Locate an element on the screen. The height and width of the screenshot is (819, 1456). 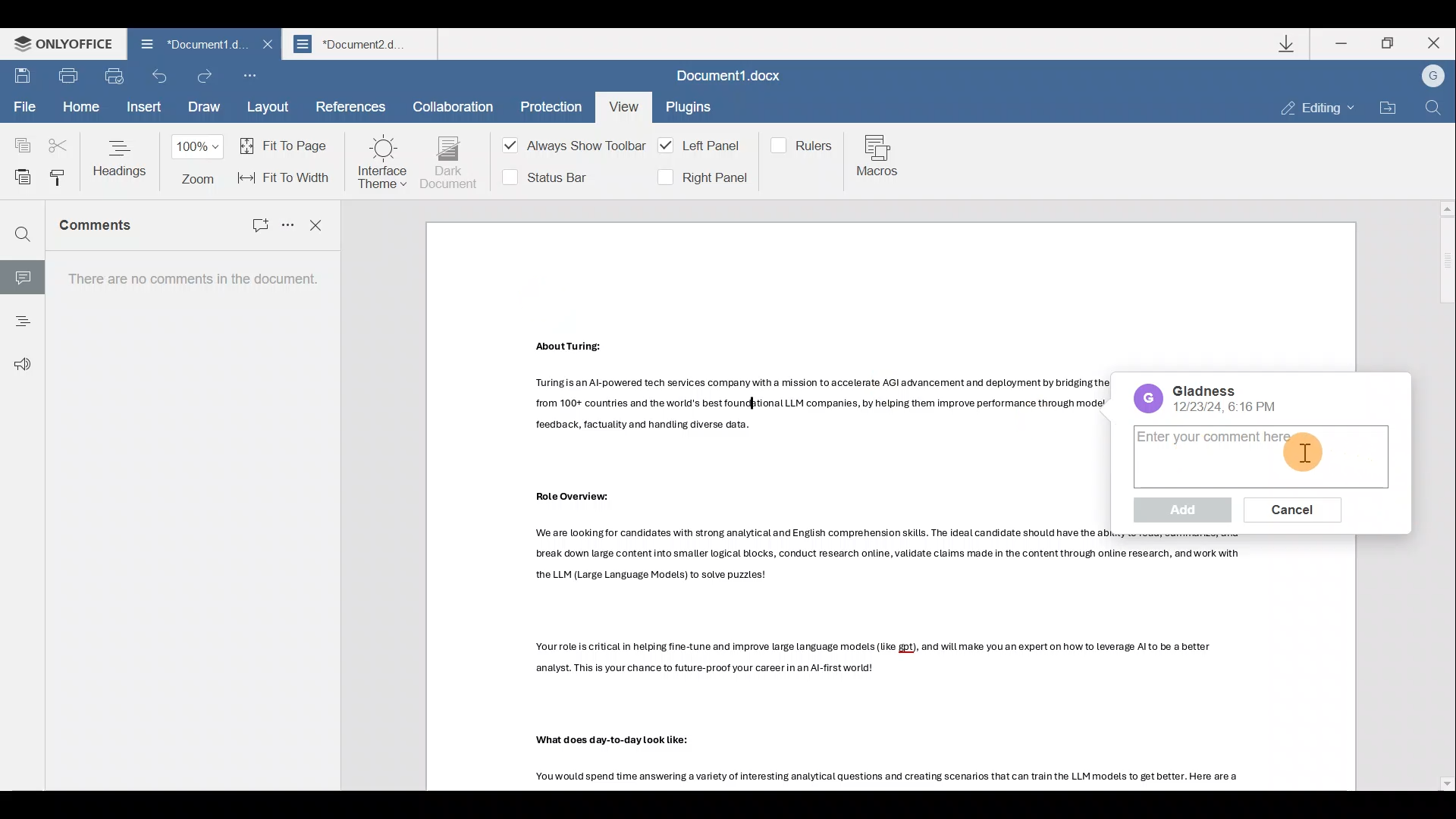
Add comment is located at coordinates (250, 221).